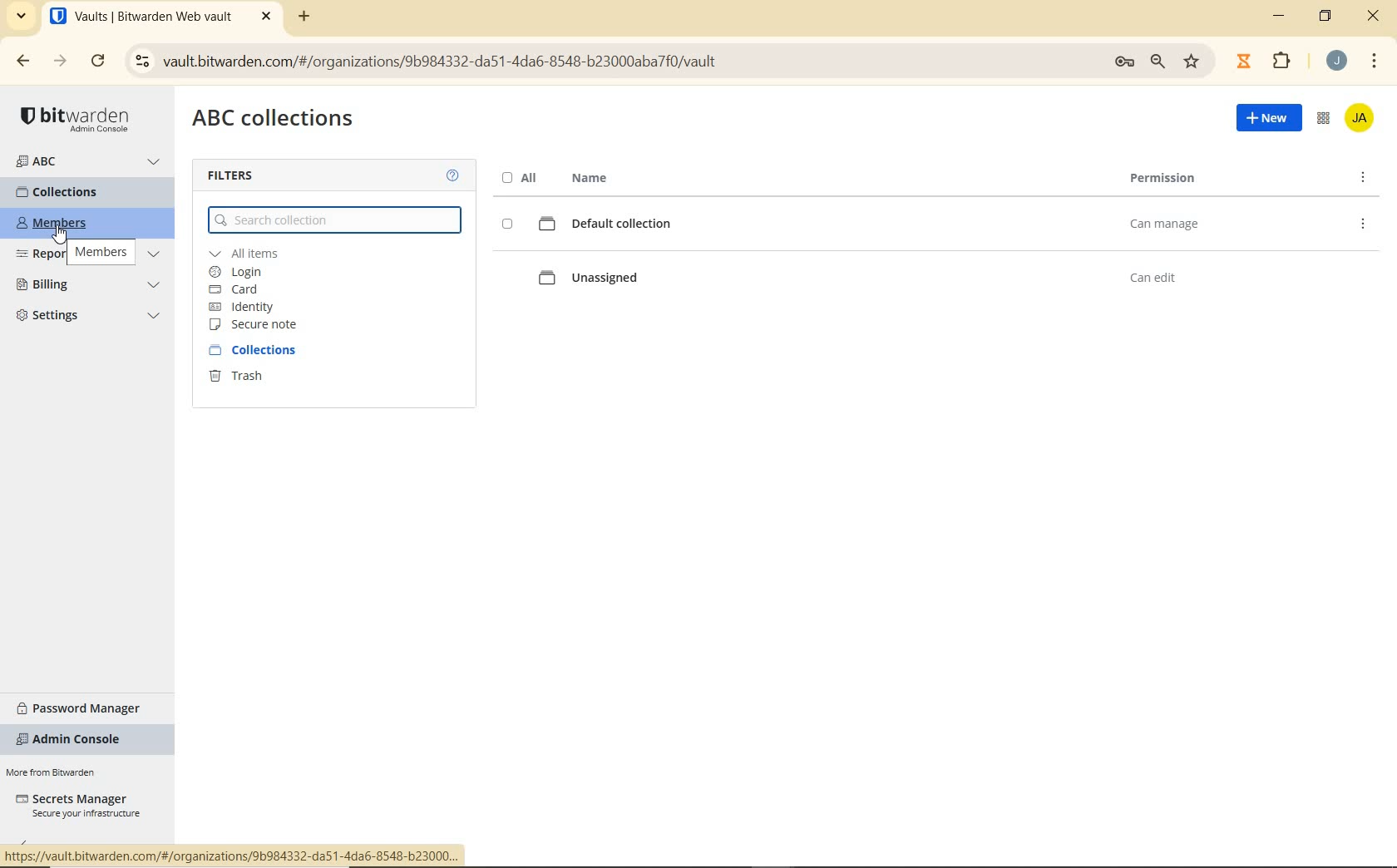 Image resolution: width=1397 pixels, height=868 pixels. Describe the element at coordinates (67, 224) in the screenshot. I see `MEMBERS` at that location.